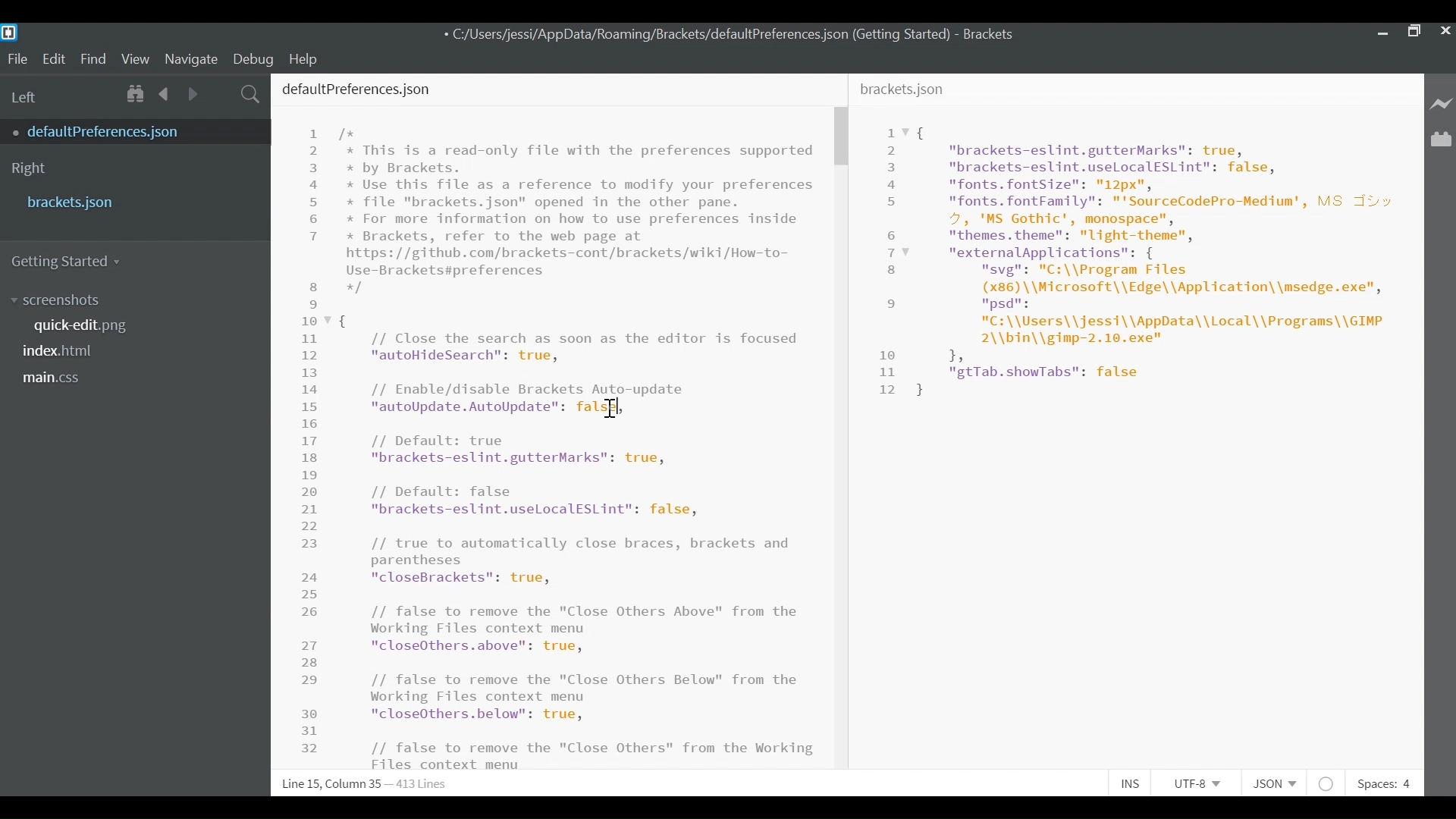 Image resolution: width=1456 pixels, height=819 pixels. What do you see at coordinates (1381, 30) in the screenshot?
I see `minimize` at bounding box center [1381, 30].